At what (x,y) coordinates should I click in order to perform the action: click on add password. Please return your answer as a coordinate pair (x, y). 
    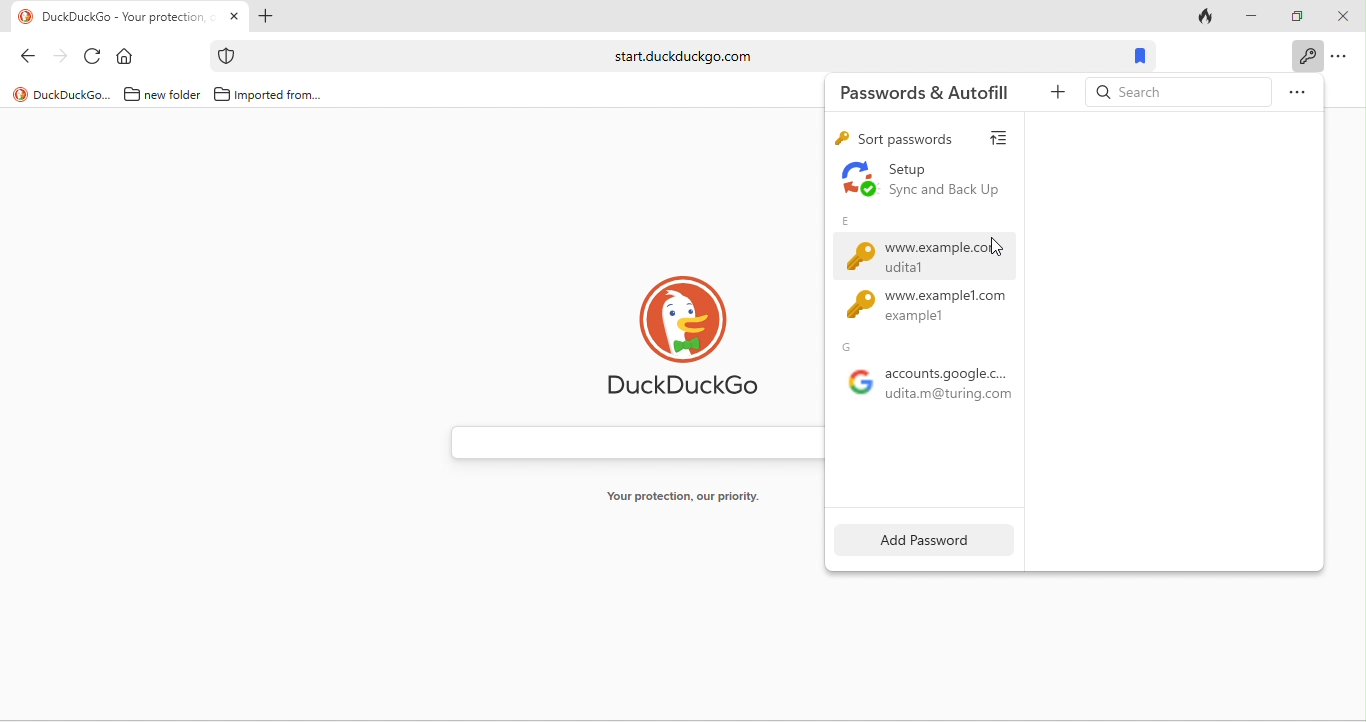
    Looking at the image, I should click on (917, 541).